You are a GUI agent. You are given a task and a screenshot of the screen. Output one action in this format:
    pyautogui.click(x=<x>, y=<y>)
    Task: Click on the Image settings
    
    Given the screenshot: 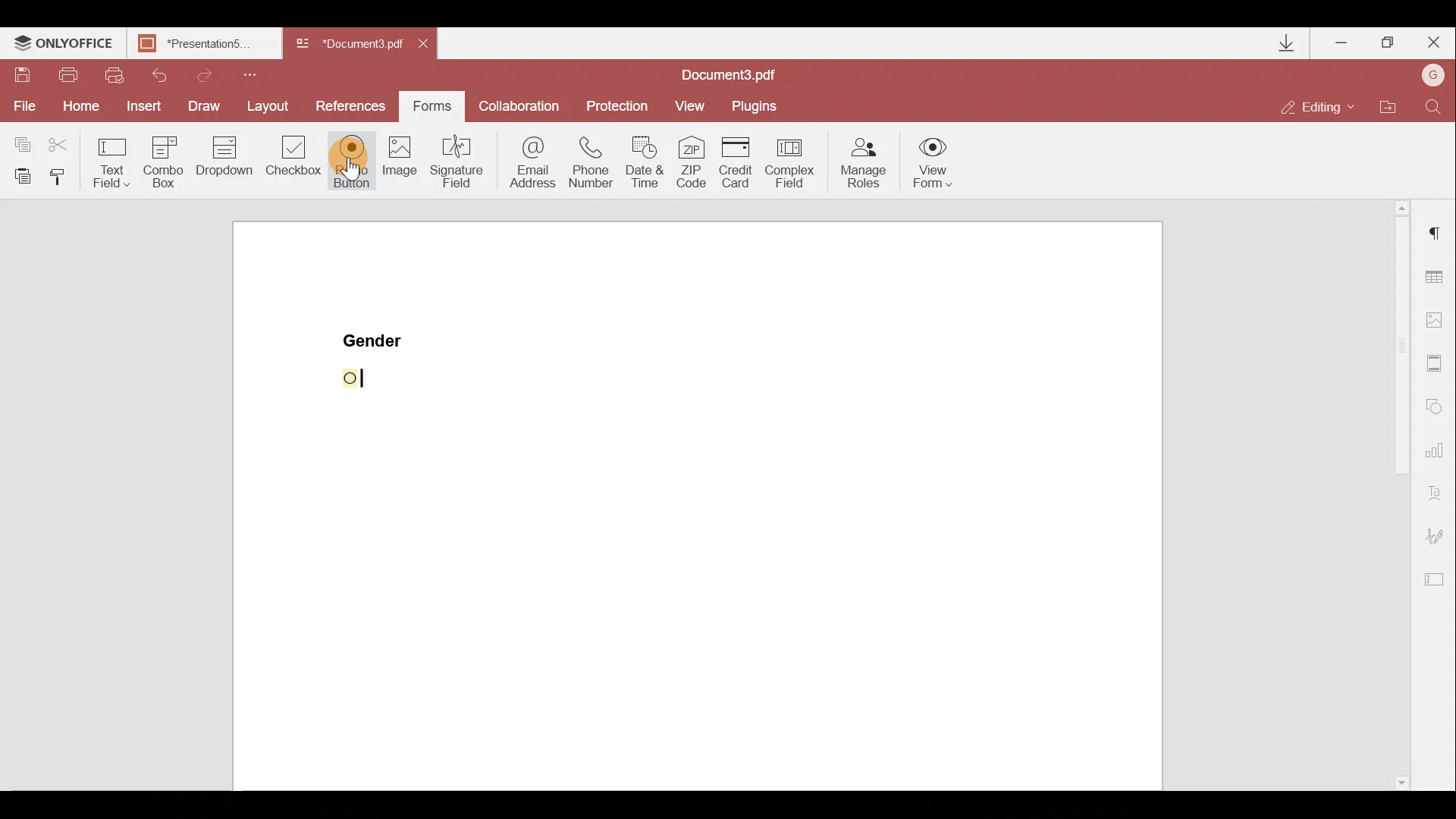 What is the action you would take?
    pyautogui.click(x=1442, y=321)
    